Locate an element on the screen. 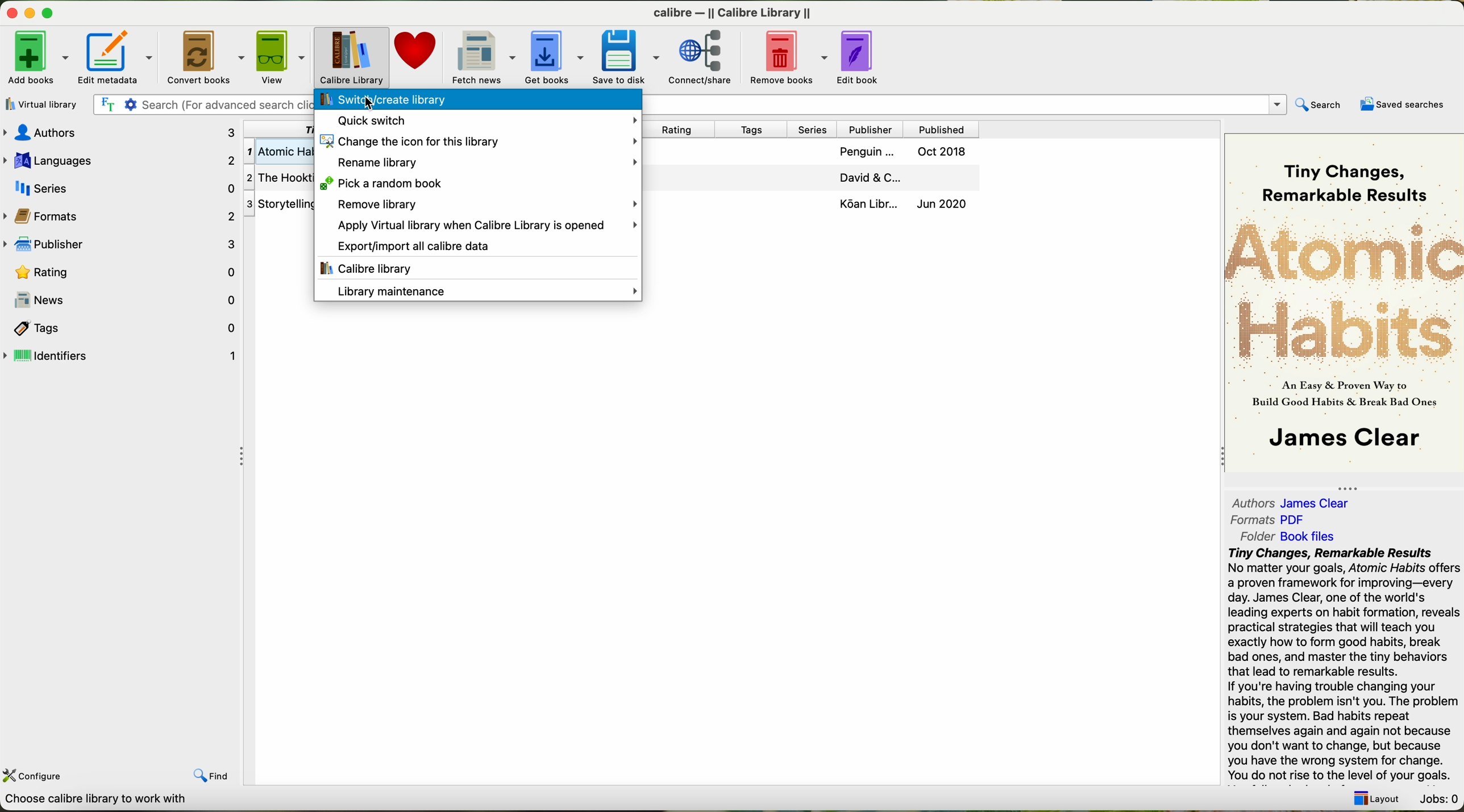 This screenshot has width=1464, height=812. An easy proven way to build Good Habits & Break Bad Ones is located at coordinates (1342, 398).